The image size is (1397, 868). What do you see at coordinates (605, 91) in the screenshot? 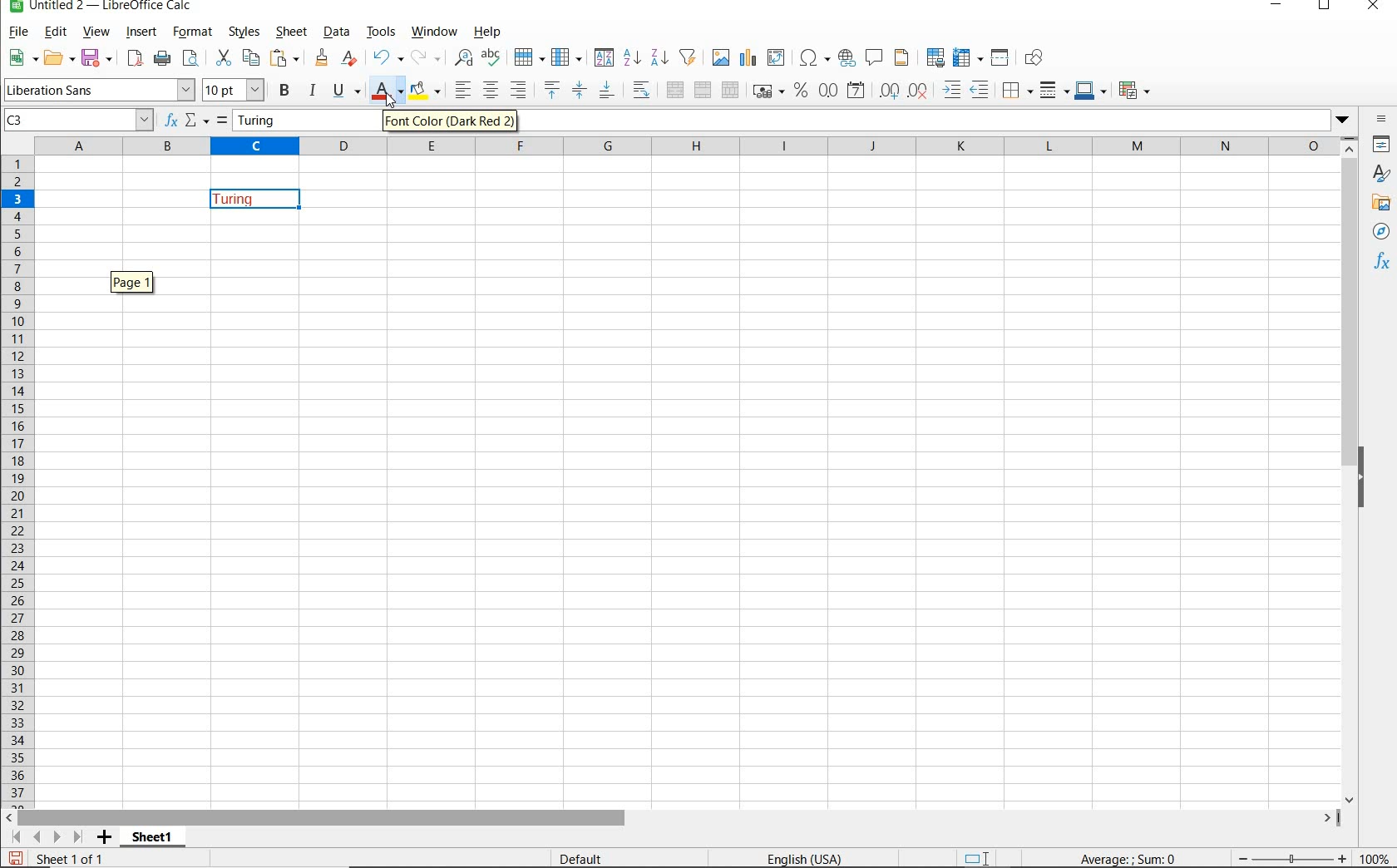
I see `ALIGN BOTTOM` at bounding box center [605, 91].